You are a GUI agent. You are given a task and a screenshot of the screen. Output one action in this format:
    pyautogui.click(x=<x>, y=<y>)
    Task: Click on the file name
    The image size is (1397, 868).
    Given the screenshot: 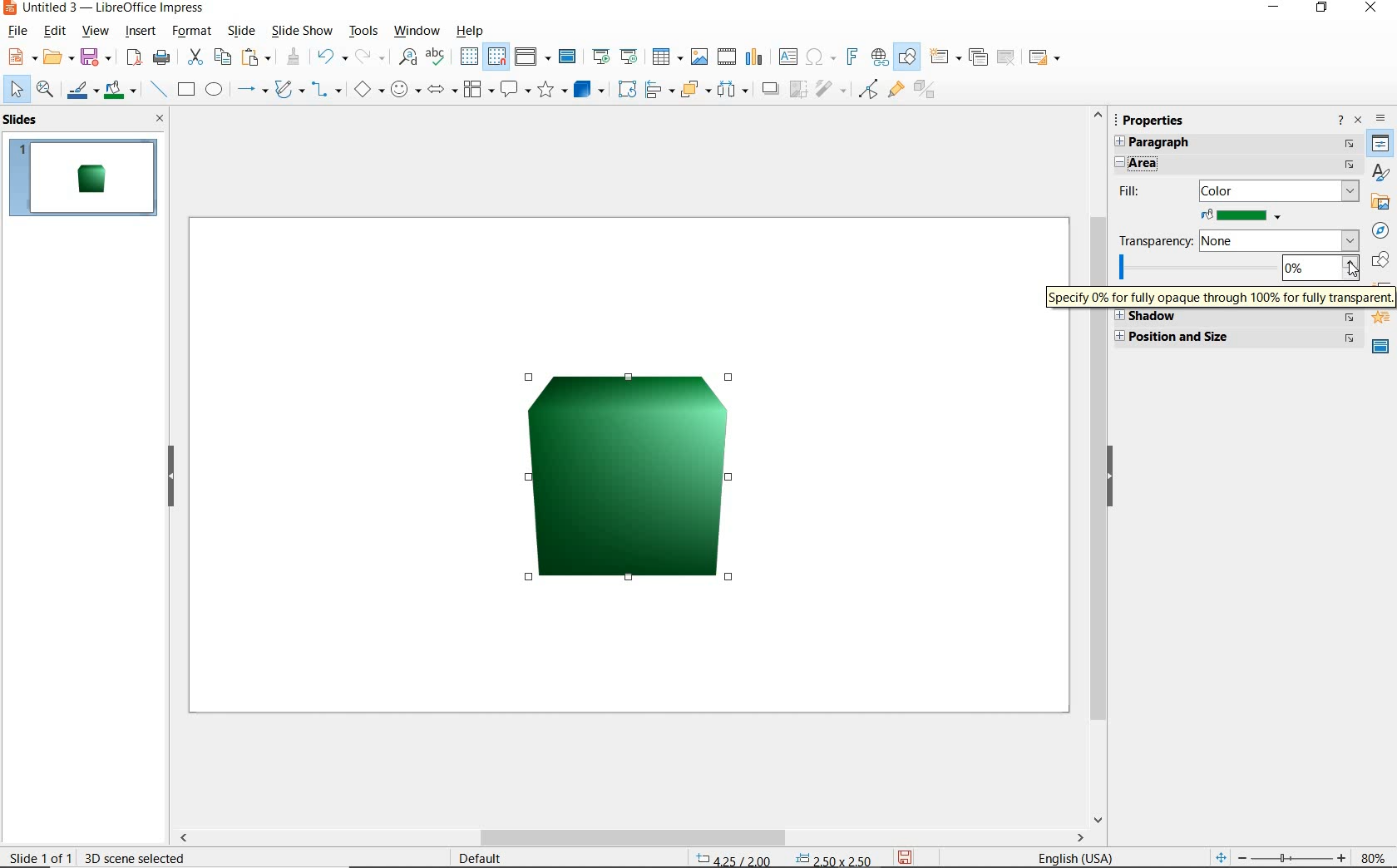 What is the action you would take?
    pyautogui.click(x=103, y=8)
    